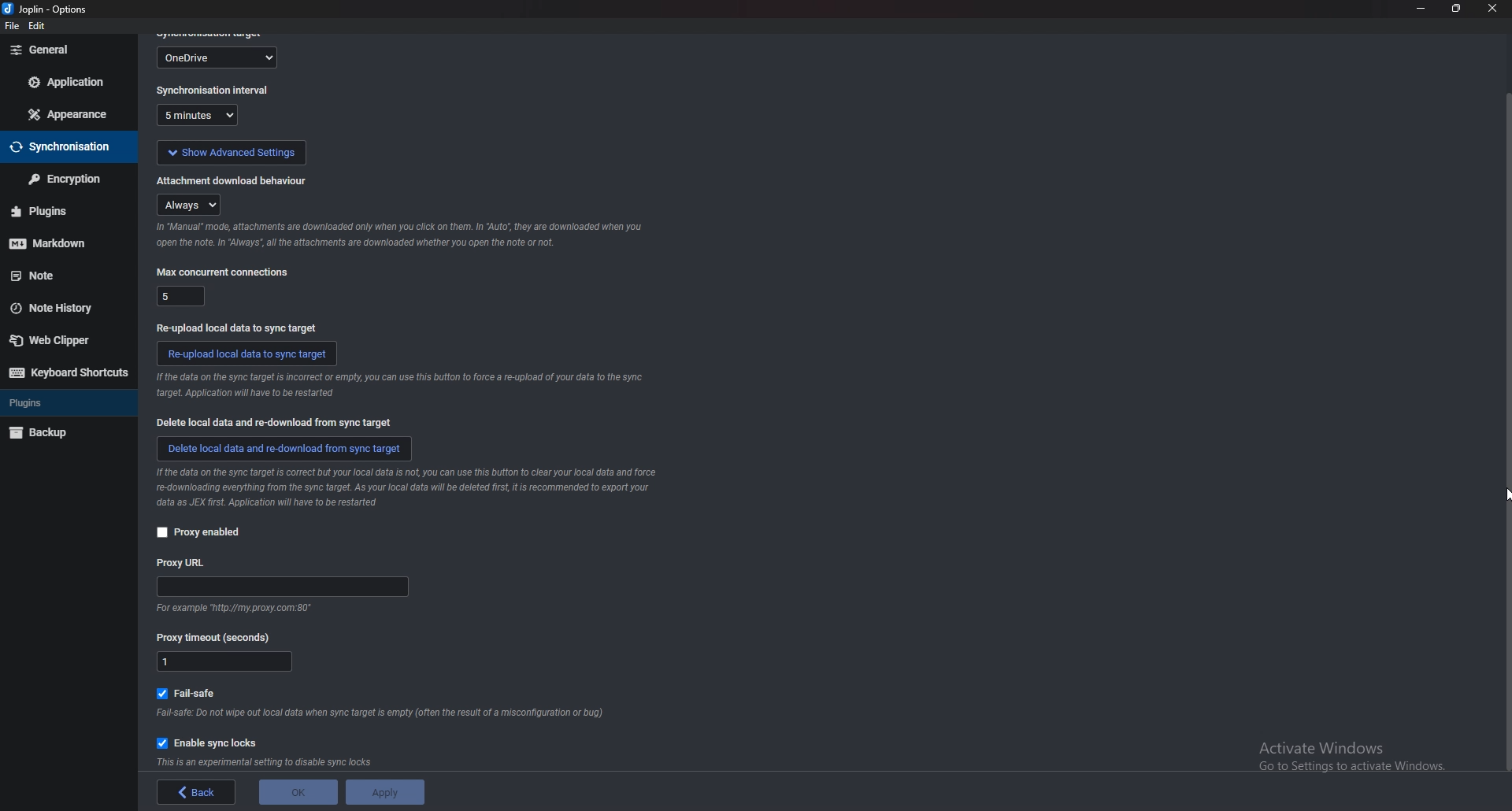  What do you see at coordinates (199, 793) in the screenshot?
I see `back` at bounding box center [199, 793].